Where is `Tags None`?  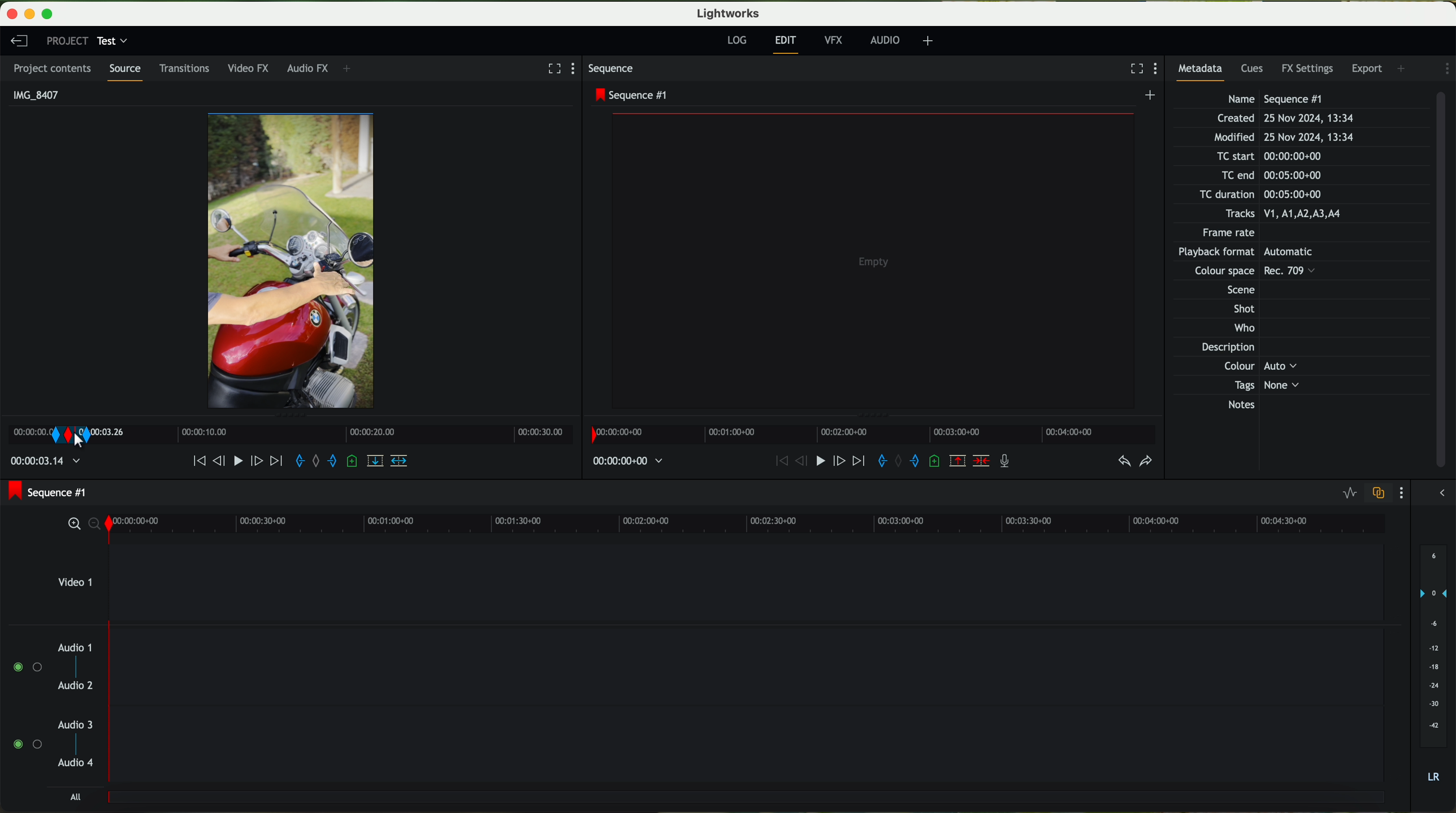
Tags None is located at coordinates (1263, 385).